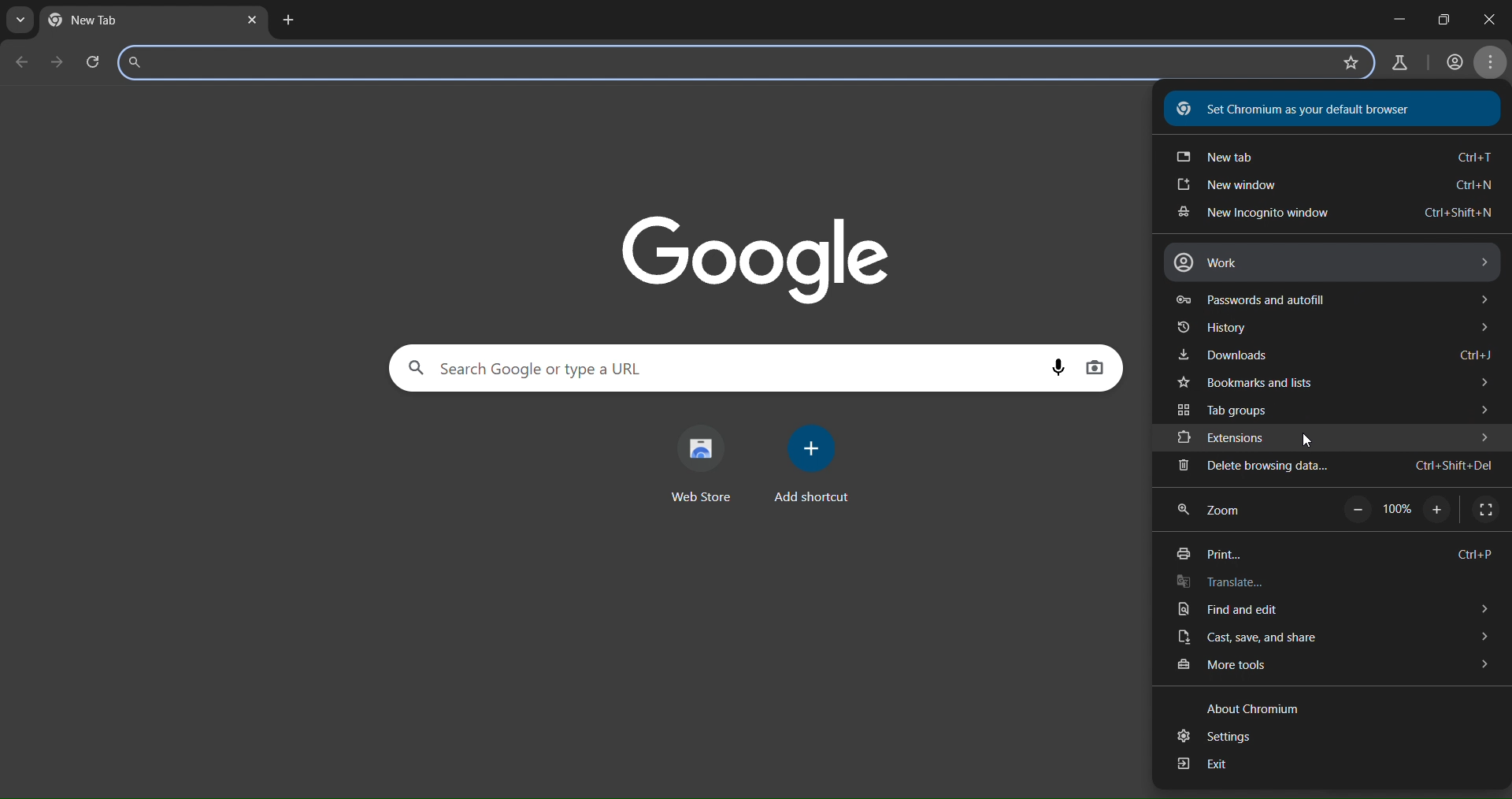 The image size is (1512, 799). Describe the element at coordinates (1484, 20) in the screenshot. I see `close` at that location.